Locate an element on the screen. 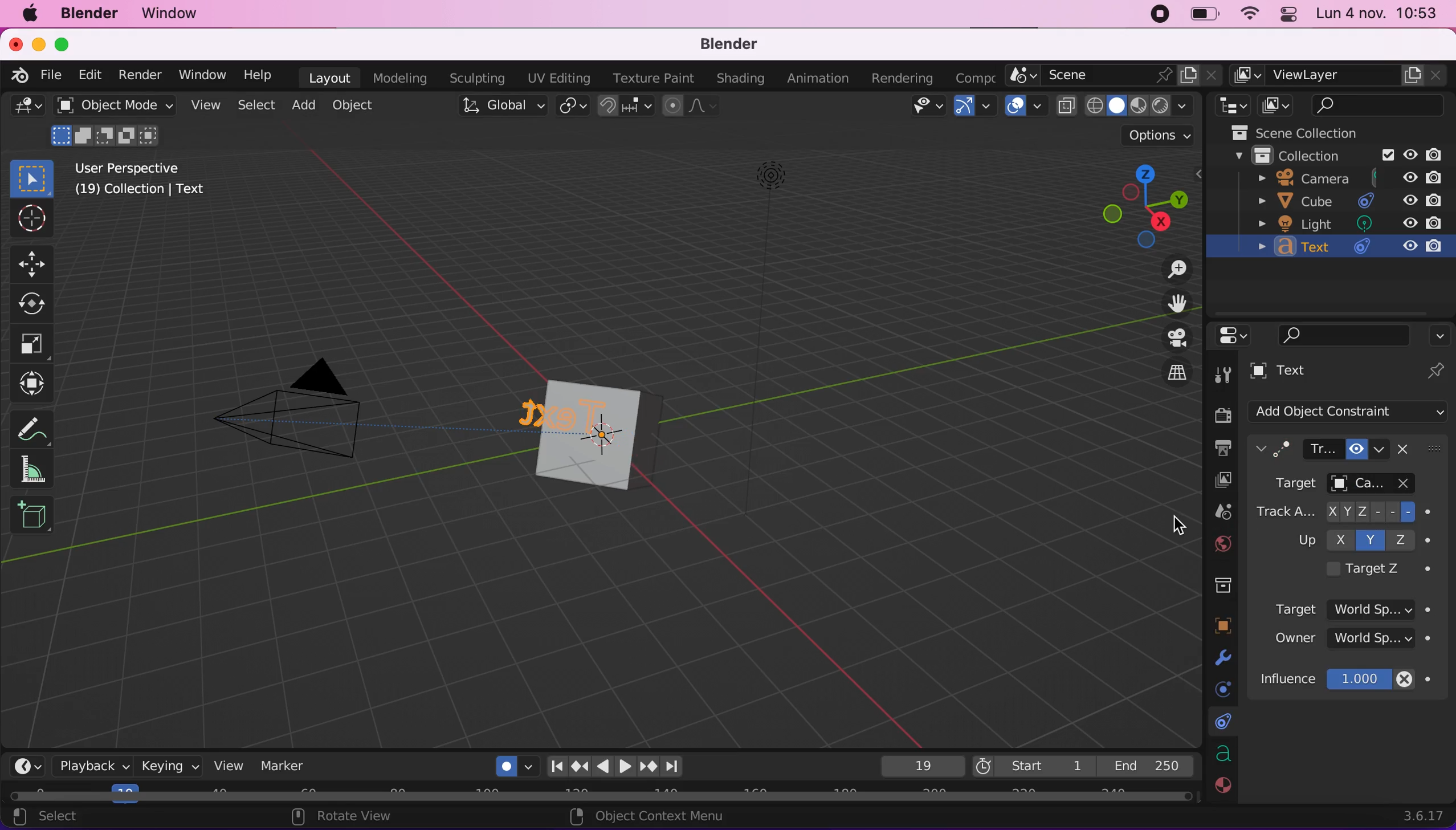 The height and width of the screenshot is (830, 1456). transform is located at coordinates (31, 385).